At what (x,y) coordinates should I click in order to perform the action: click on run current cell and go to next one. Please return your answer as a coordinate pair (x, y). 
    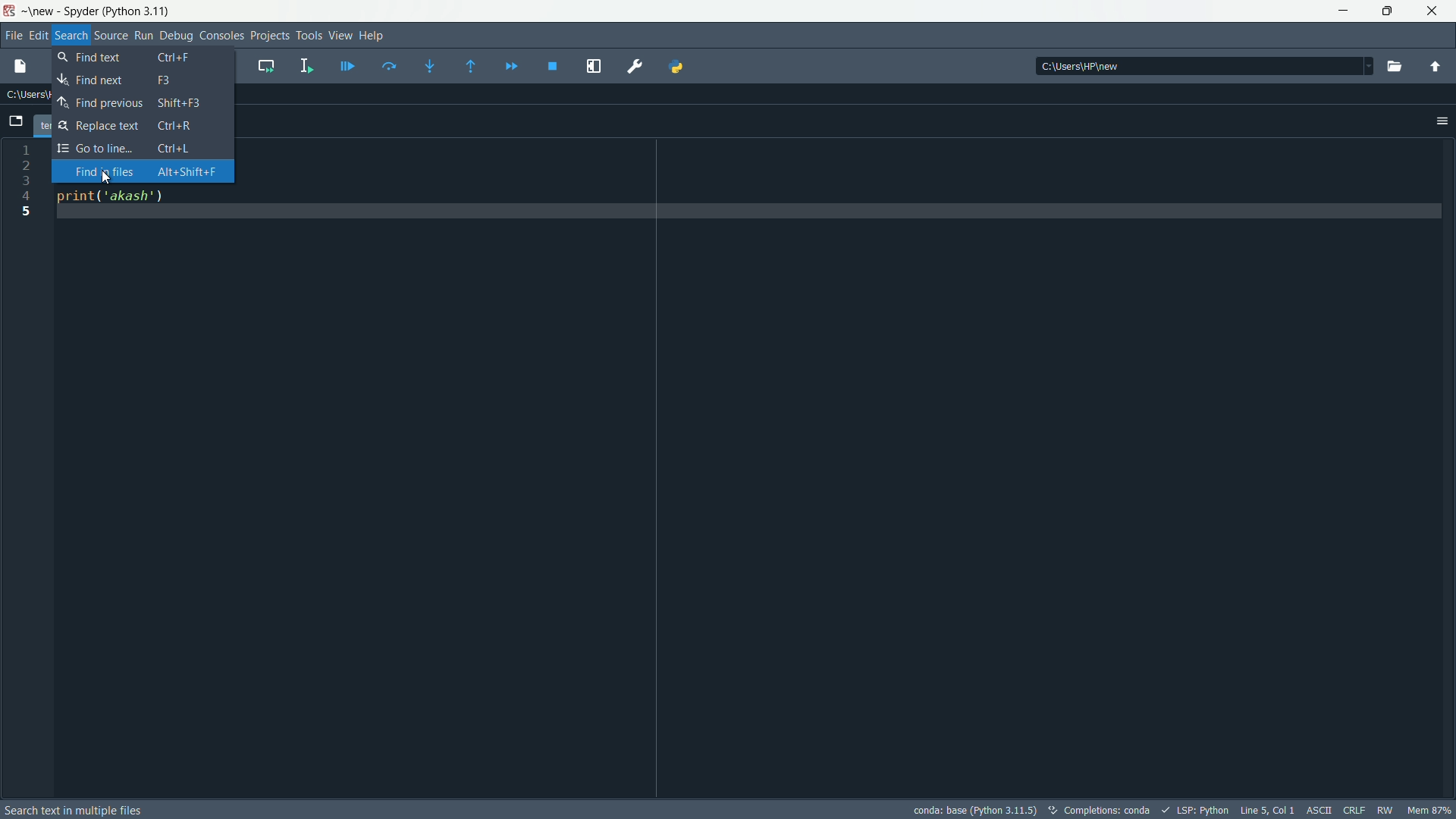
    Looking at the image, I should click on (265, 66).